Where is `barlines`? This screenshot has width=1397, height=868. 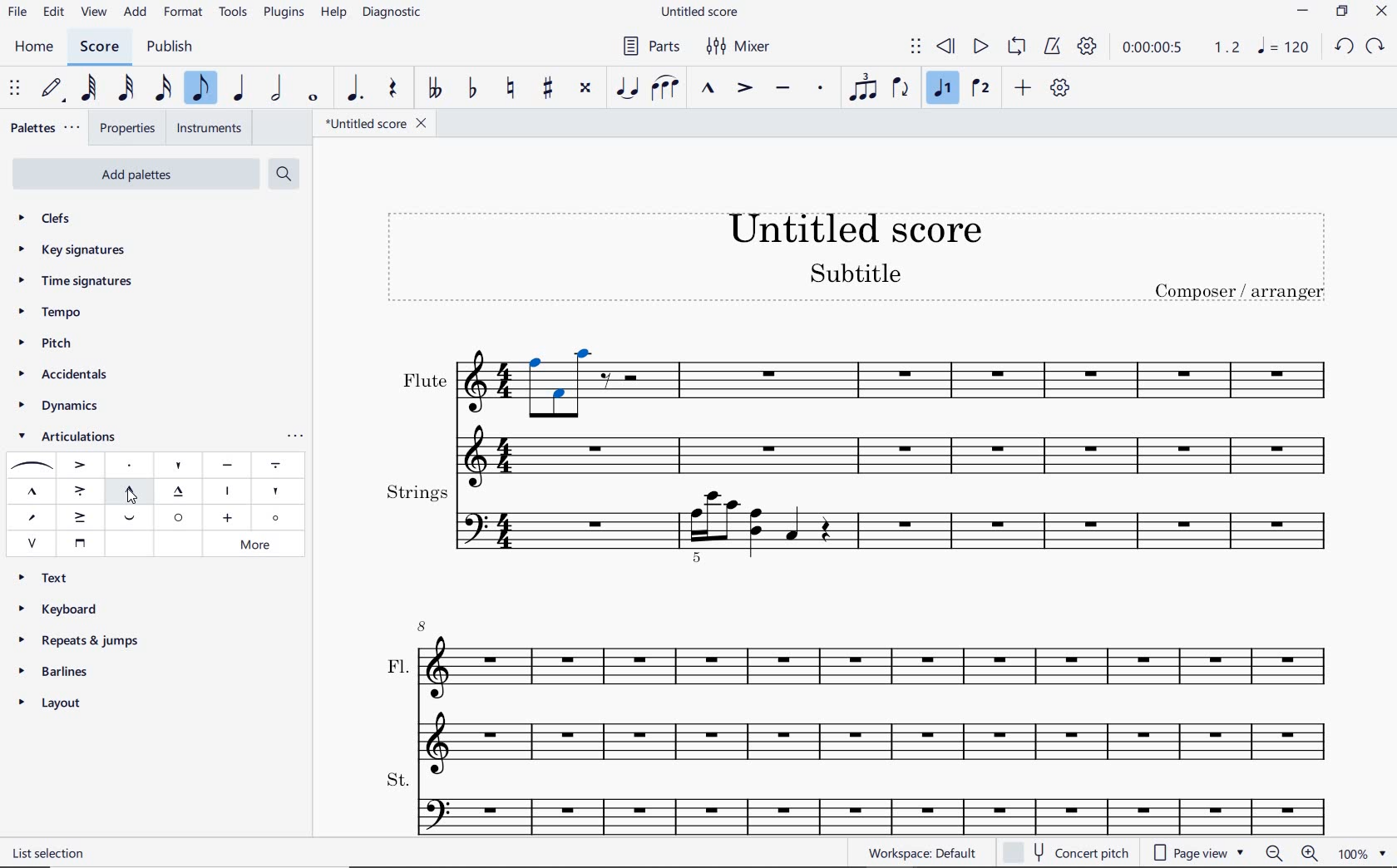
barlines is located at coordinates (60, 672).